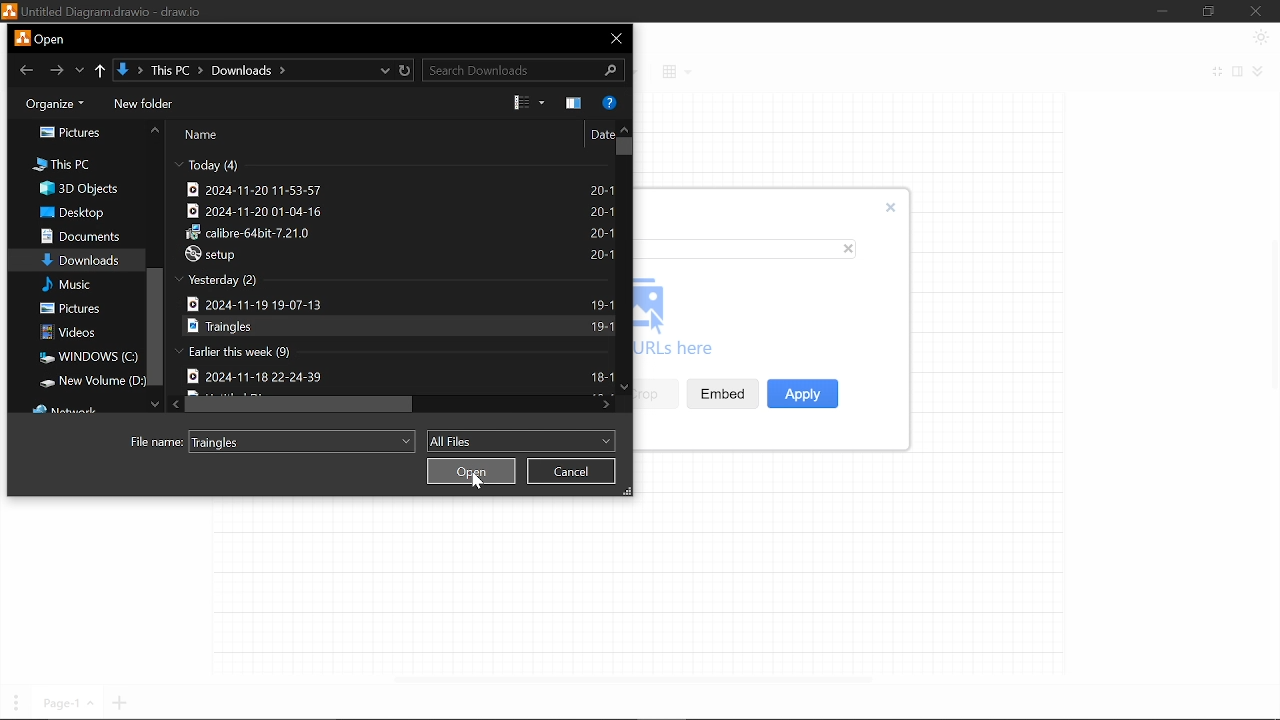 The image size is (1280, 720). Describe the element at coordinates (523, 73) in the screenshot. I see `search Downloads` at that location.